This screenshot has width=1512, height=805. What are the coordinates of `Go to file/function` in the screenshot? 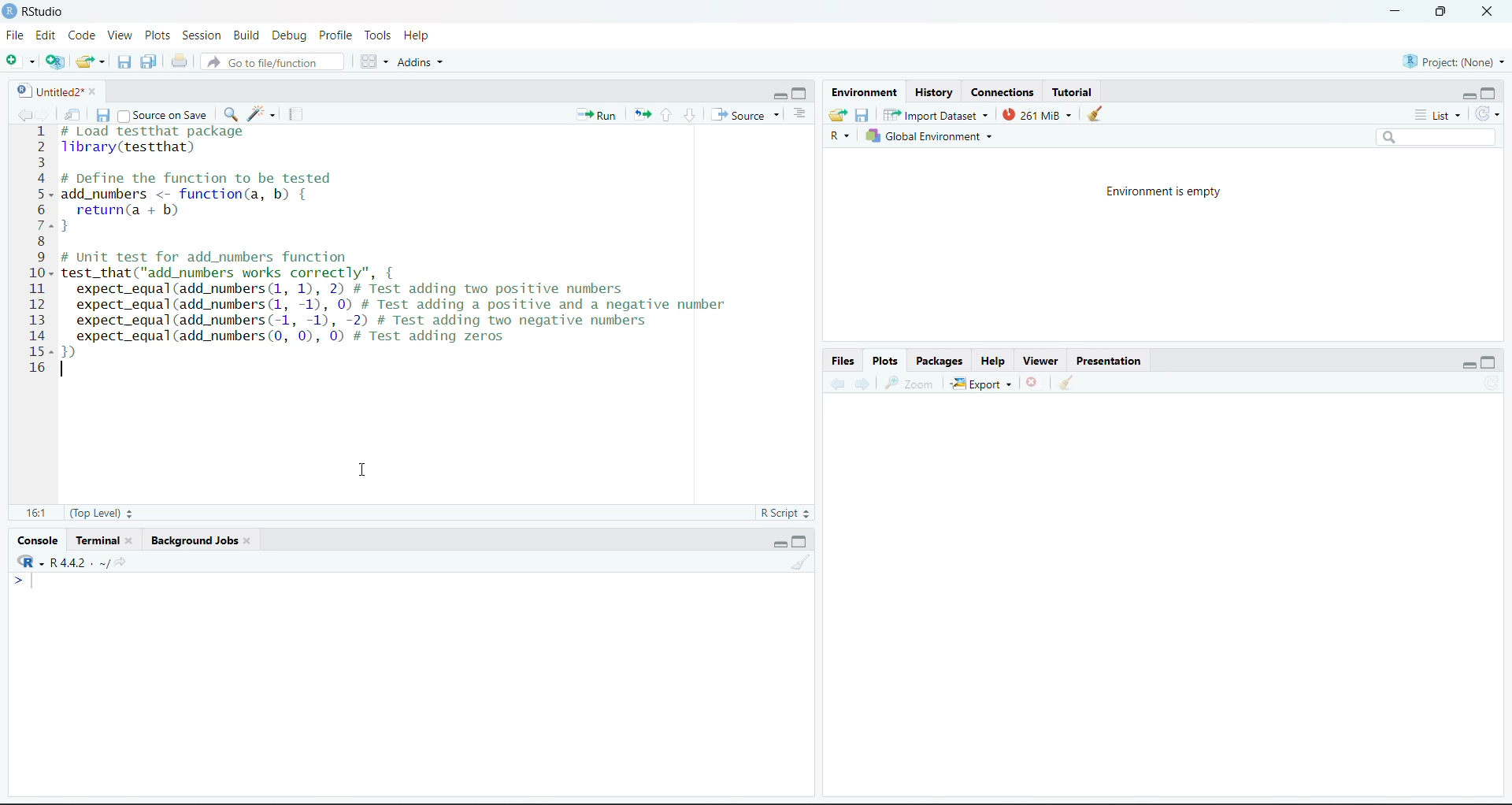 It's located at (274, 61).